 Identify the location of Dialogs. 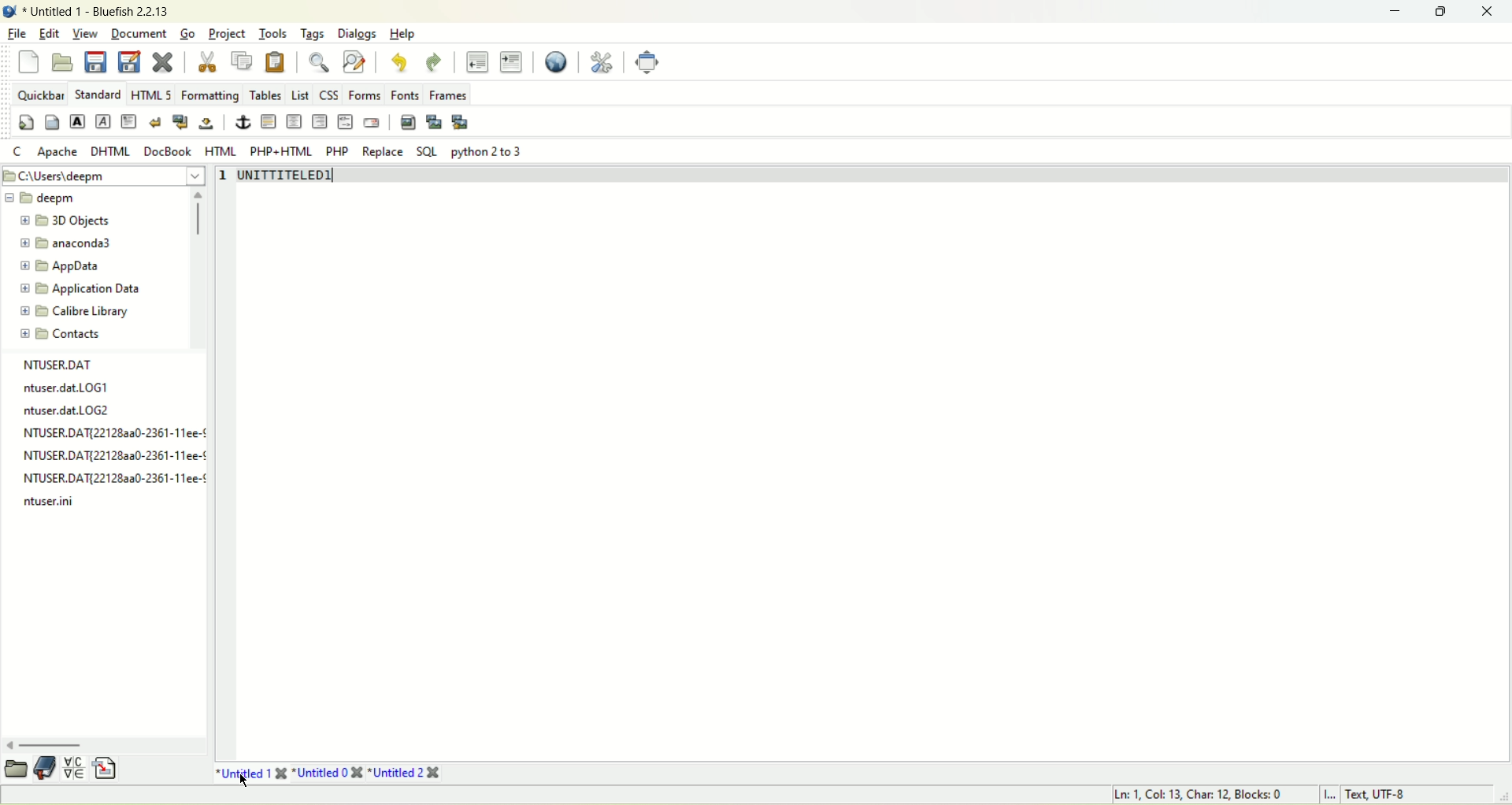
(359, 35).